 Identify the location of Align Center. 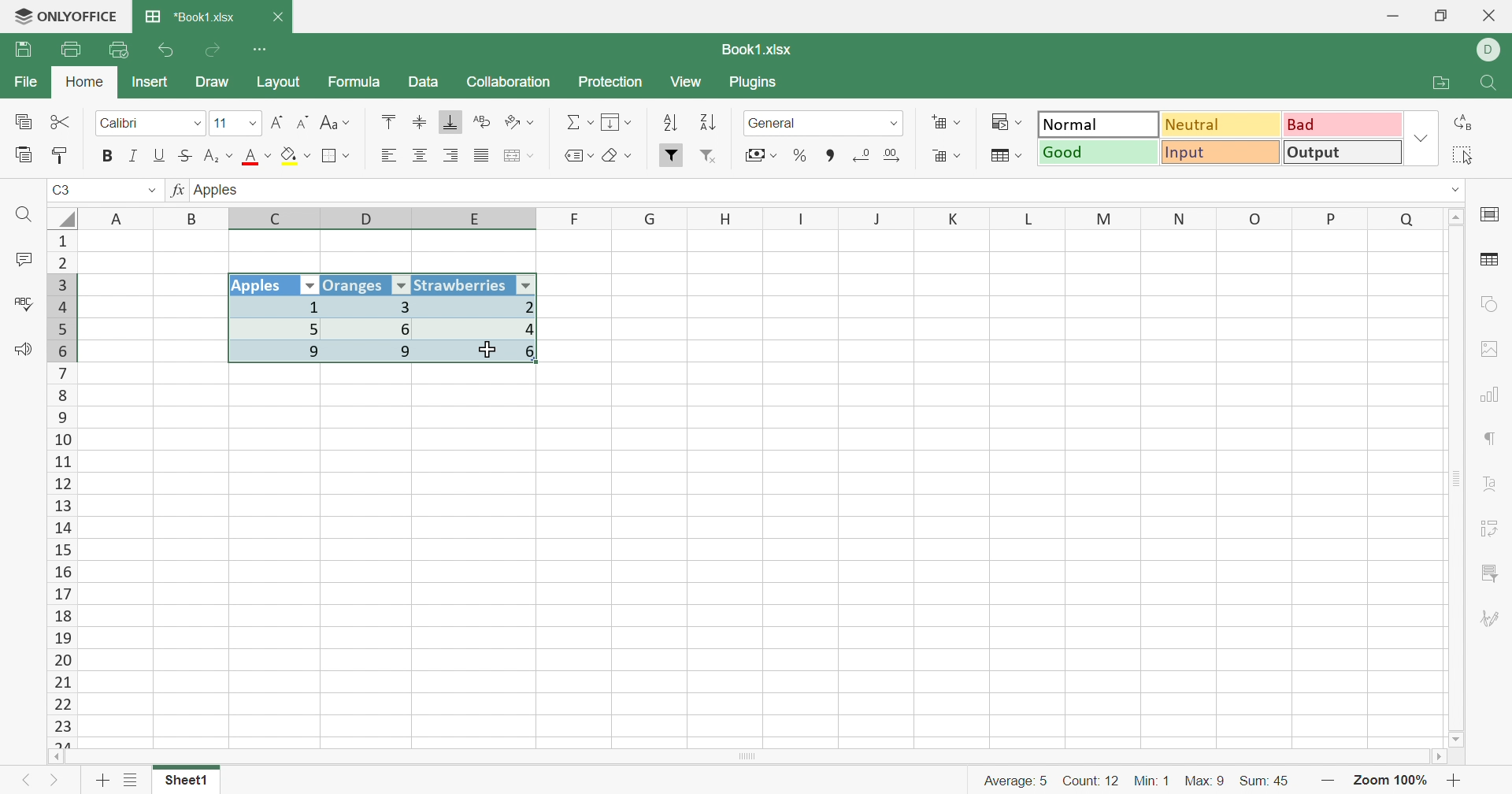
(420, 156).